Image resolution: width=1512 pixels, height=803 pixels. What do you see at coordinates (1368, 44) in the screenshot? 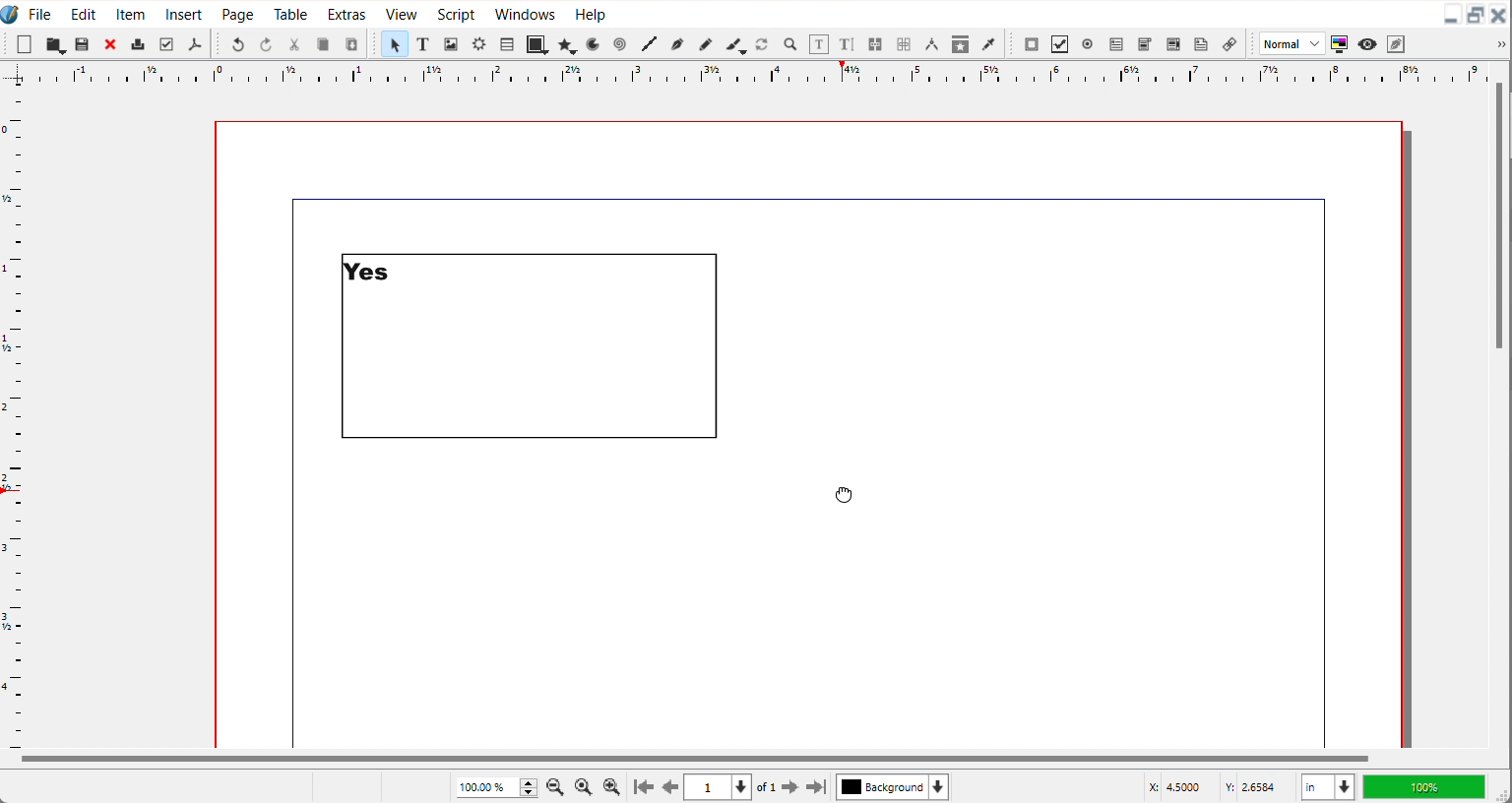
I see `Preview` at bounding box center [1368, 44].